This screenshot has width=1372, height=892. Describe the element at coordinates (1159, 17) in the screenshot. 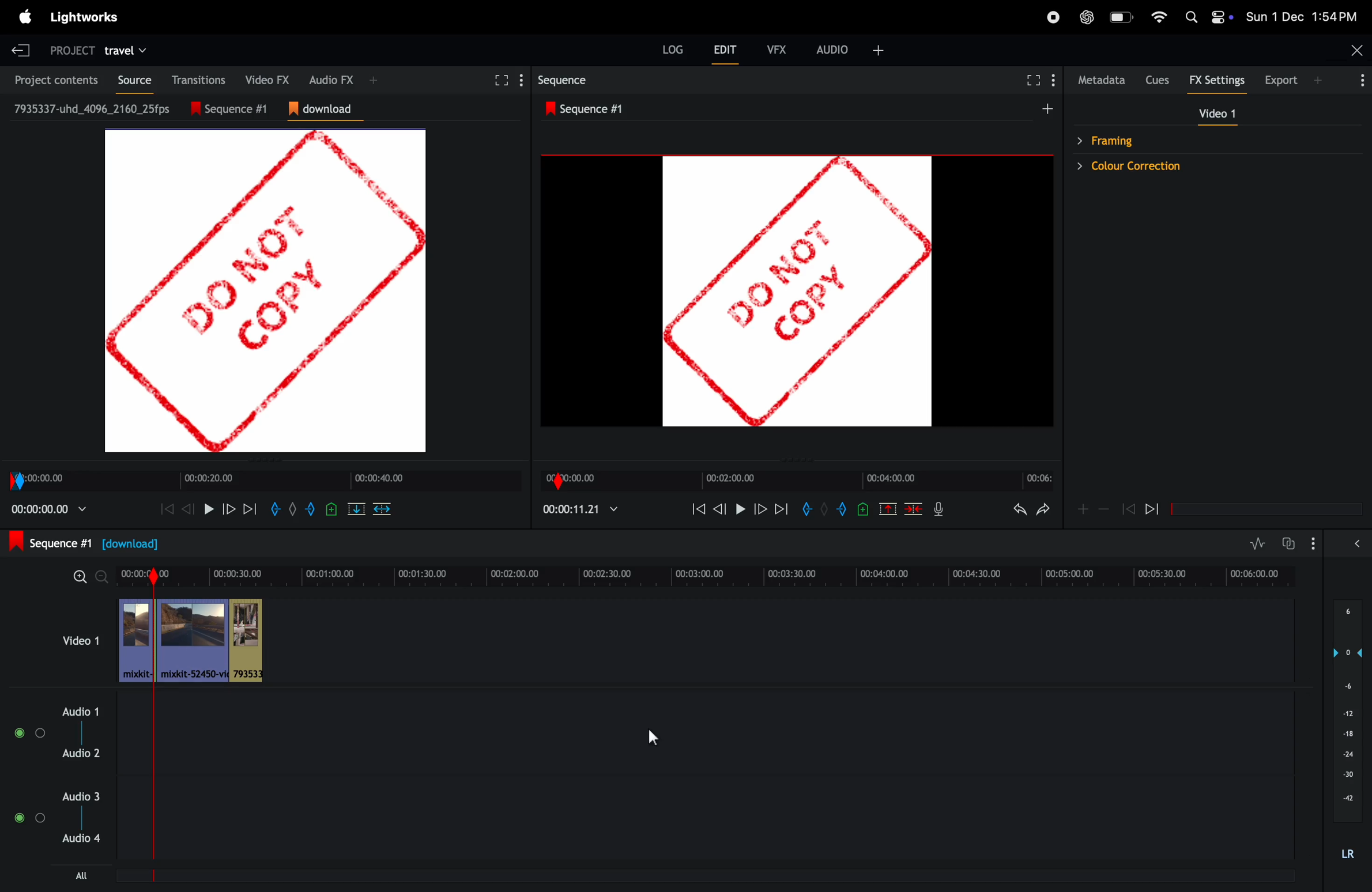

I see `wifi` at that location.